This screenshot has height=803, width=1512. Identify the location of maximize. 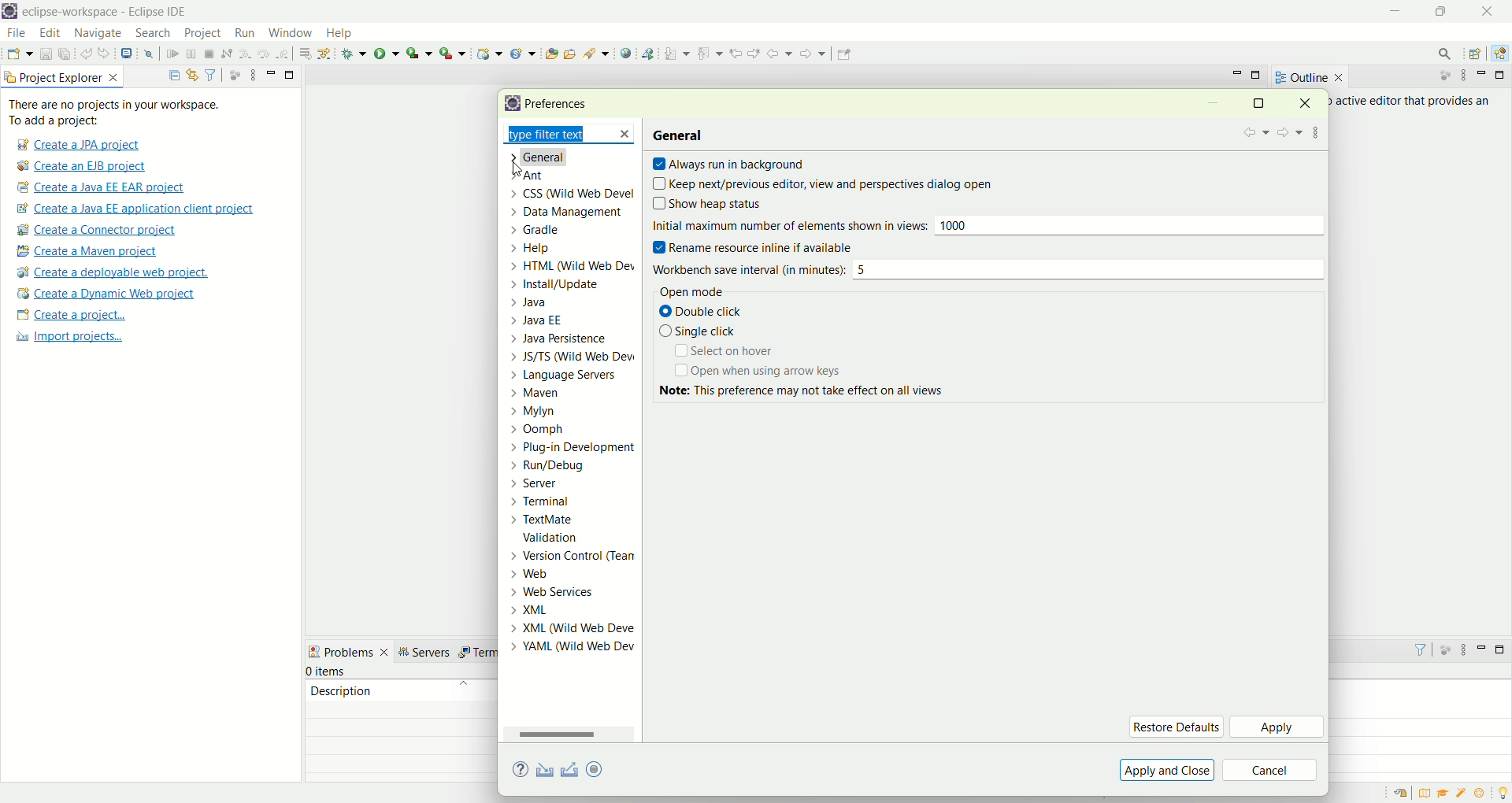
(1445, 11).